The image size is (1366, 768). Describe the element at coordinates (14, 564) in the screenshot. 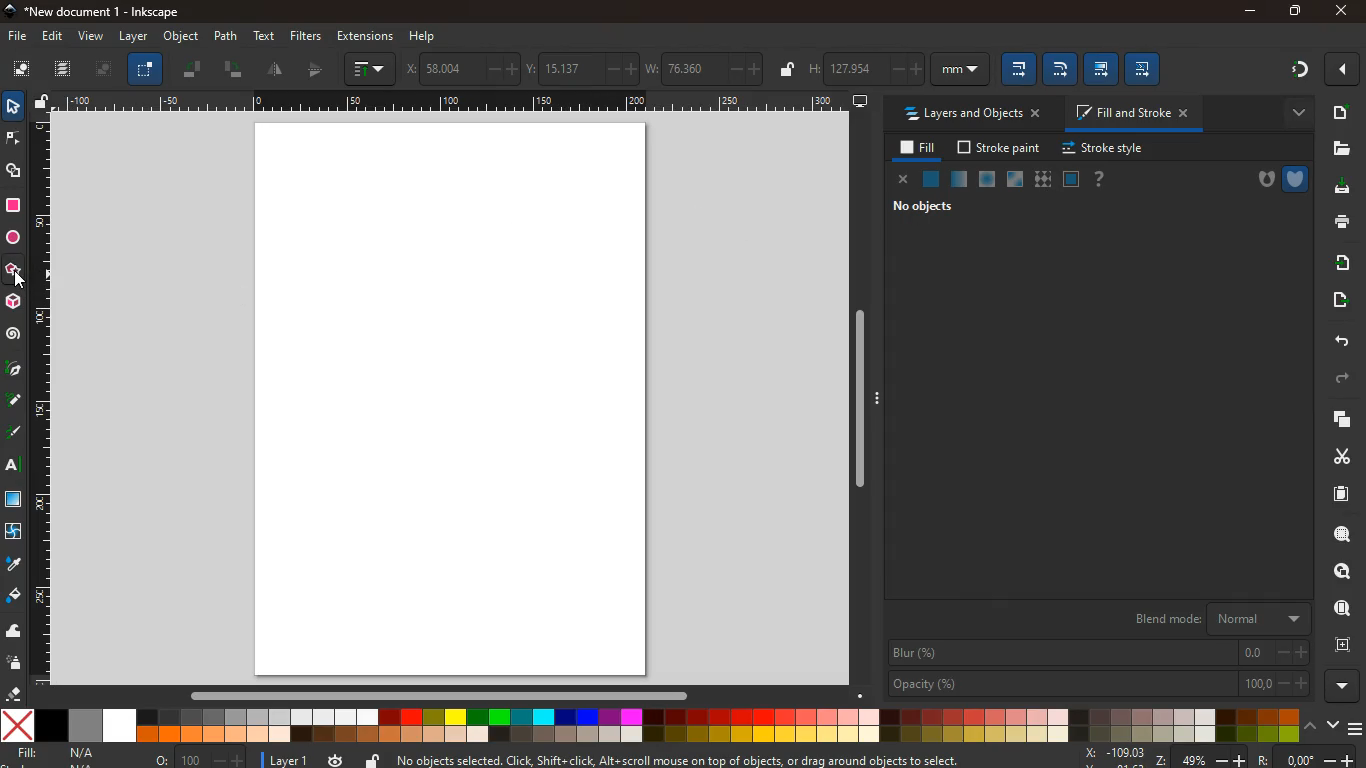

I see `drop` at that location.